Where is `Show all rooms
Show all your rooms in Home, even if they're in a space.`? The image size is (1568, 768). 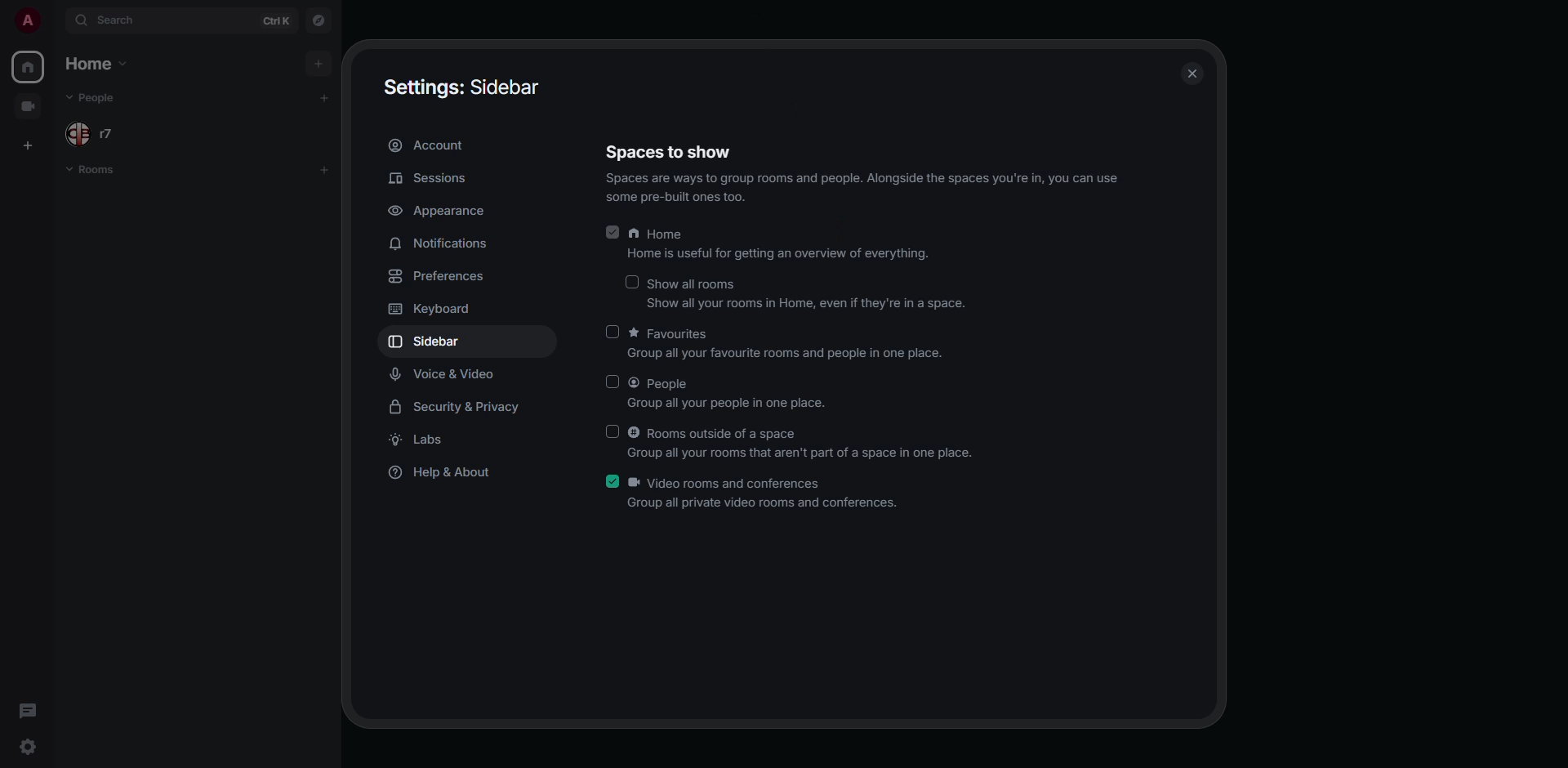 Show all rooms
Show all your rooms in Home, even if they're in a space. is located at coordinates (807, 294).